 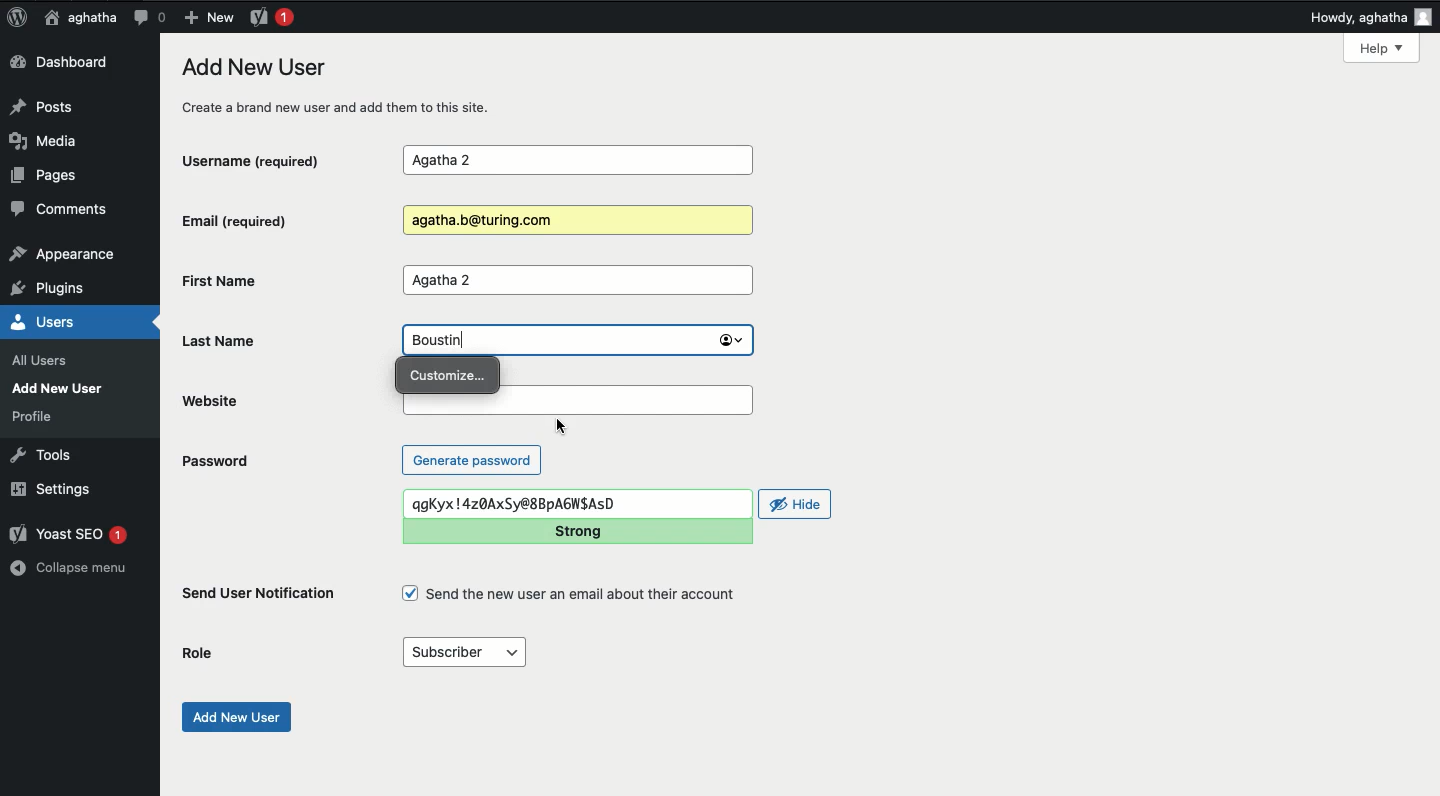 I want to click on Strong, so click(x=575, y=534).